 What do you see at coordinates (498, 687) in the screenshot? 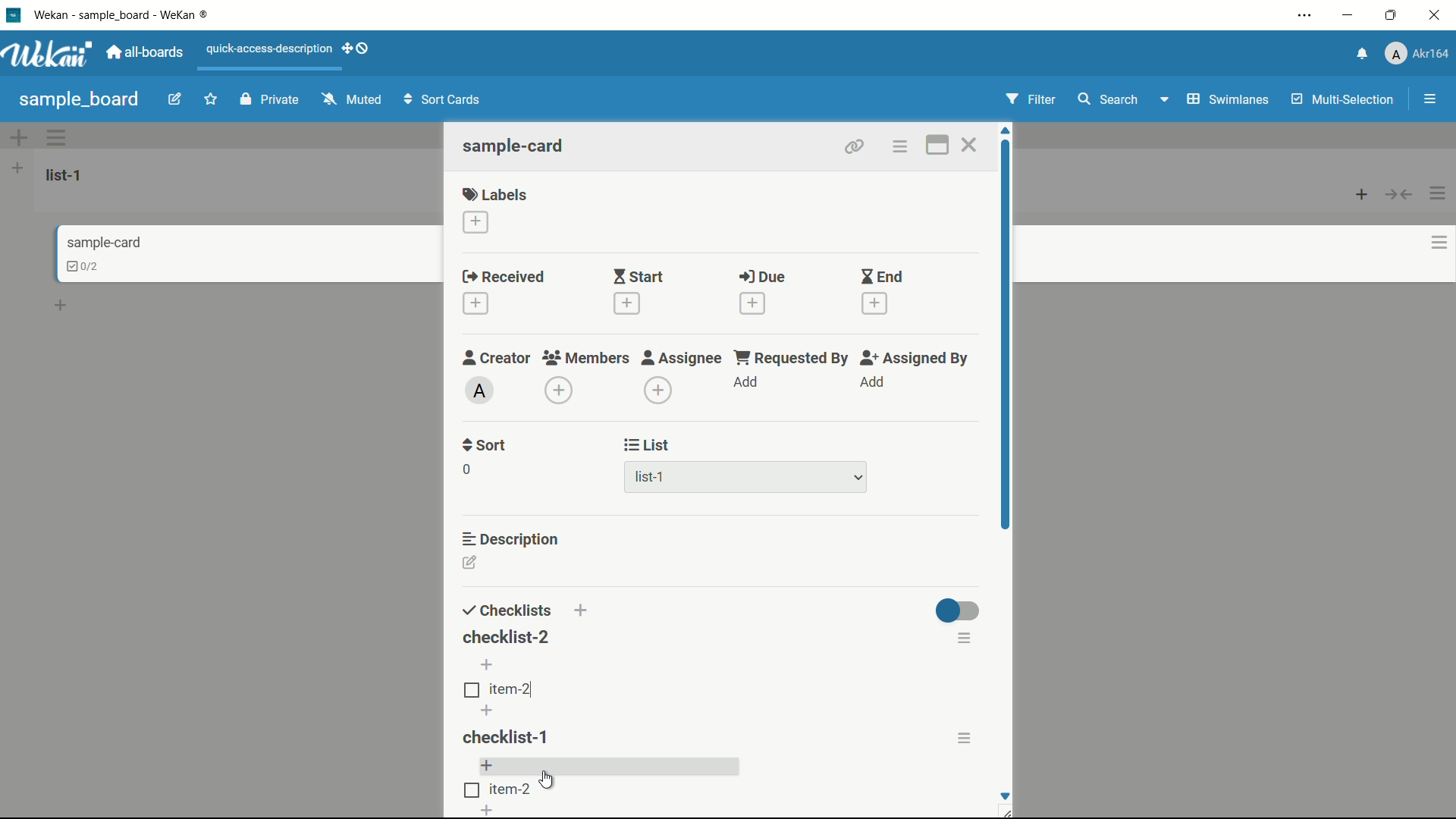
I see `item checkbox` at bounding box center [498, 687].